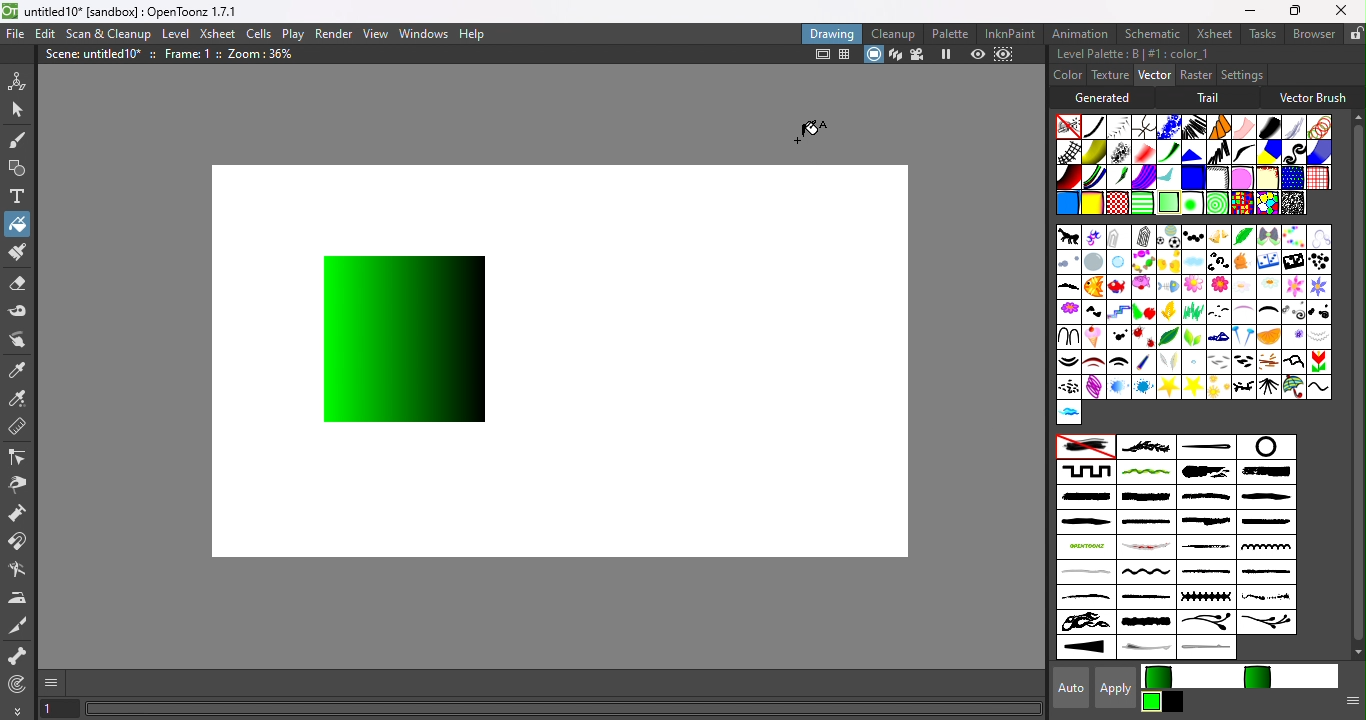 The width and height of the screenshot is (1366, 720). Describe the element at coordinates (258, 35) in the screenshot. I see `Cells` at that location.